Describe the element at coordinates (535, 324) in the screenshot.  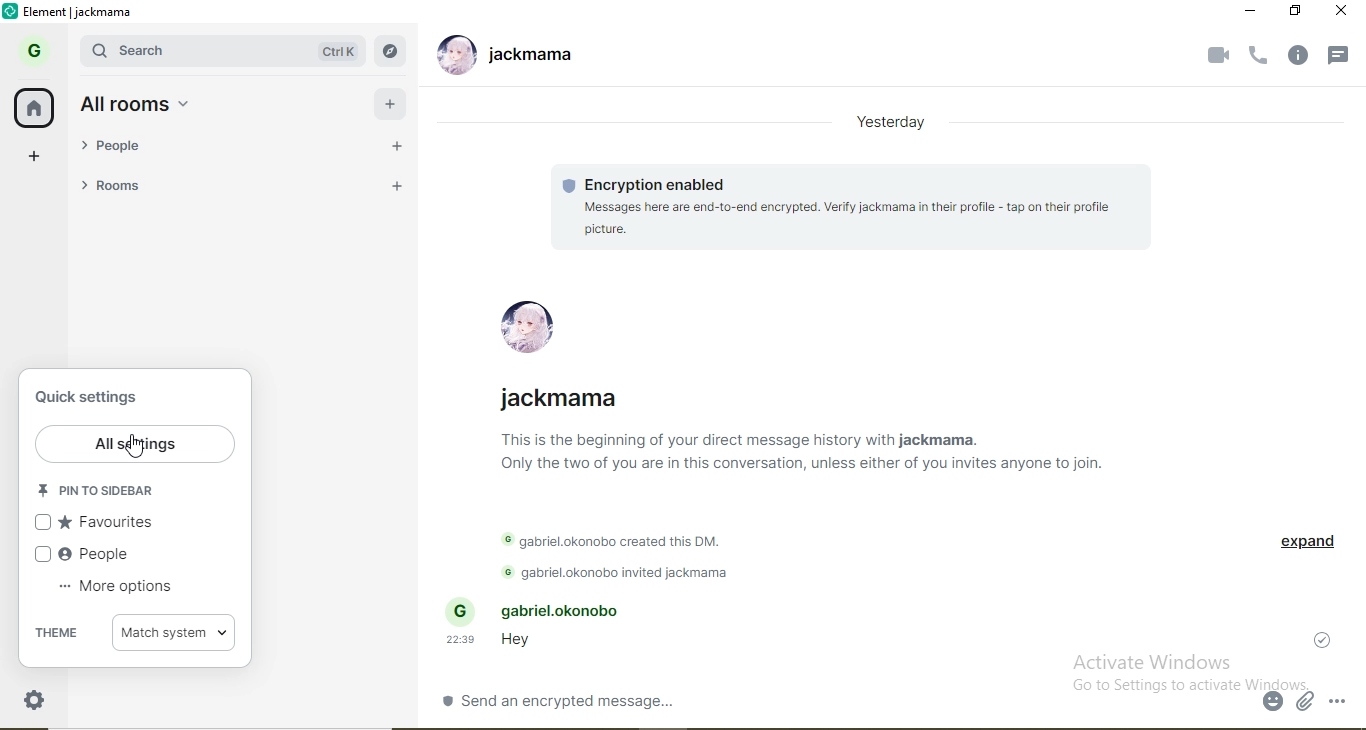
I see `profile` at that location.